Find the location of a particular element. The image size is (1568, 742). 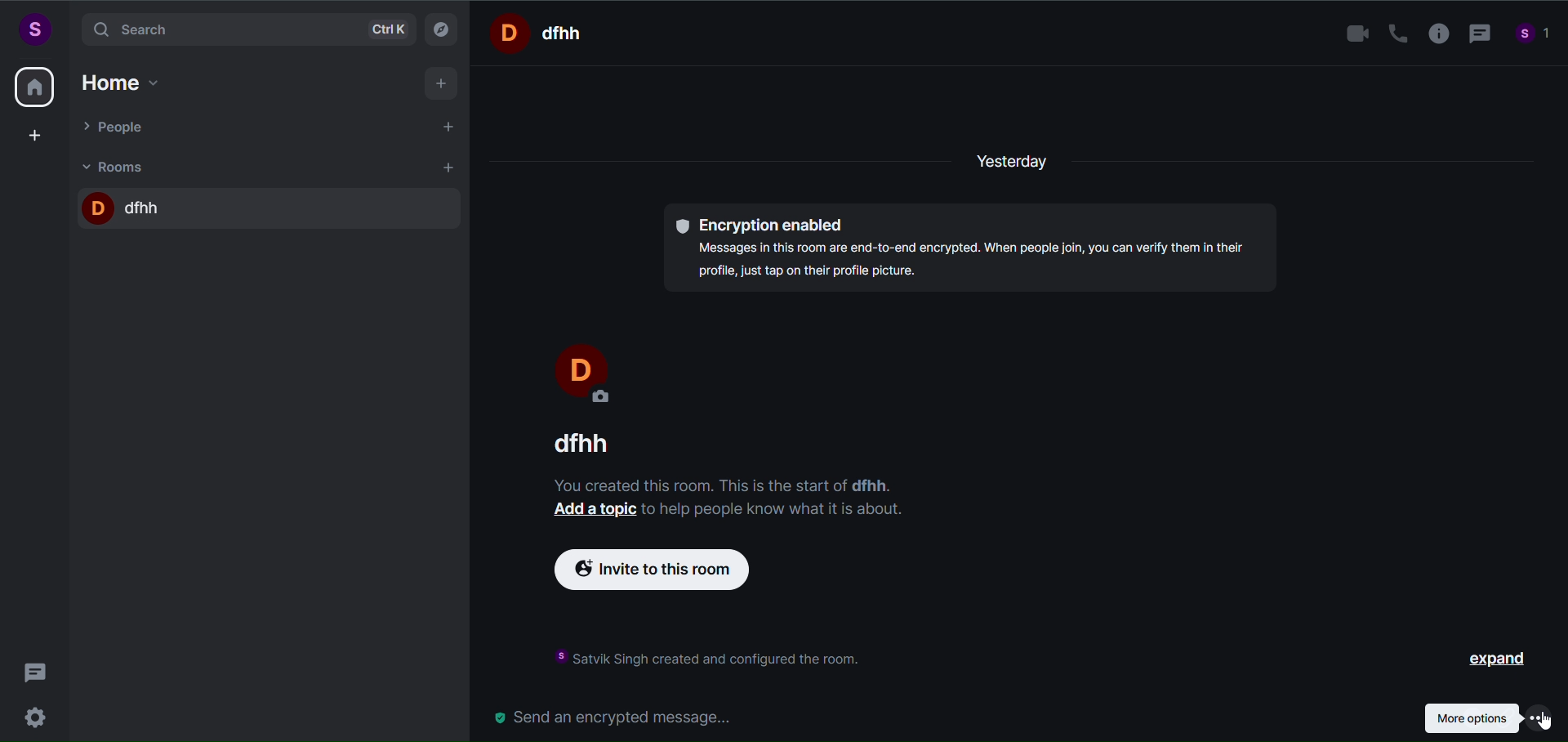

room name is located at coordinates (125, 204).